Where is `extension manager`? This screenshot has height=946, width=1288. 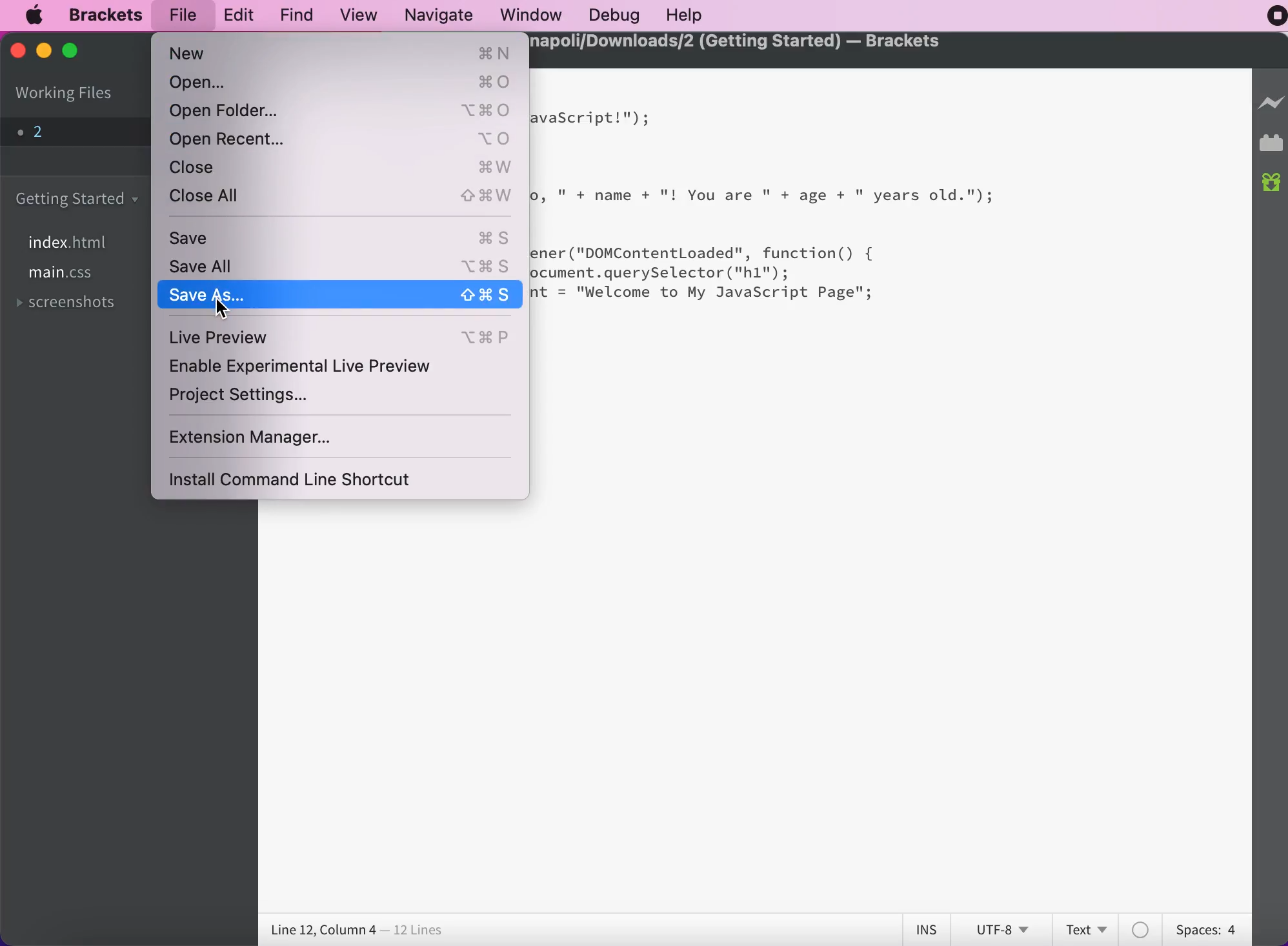 extension manager is located at coordinates (272, 438).